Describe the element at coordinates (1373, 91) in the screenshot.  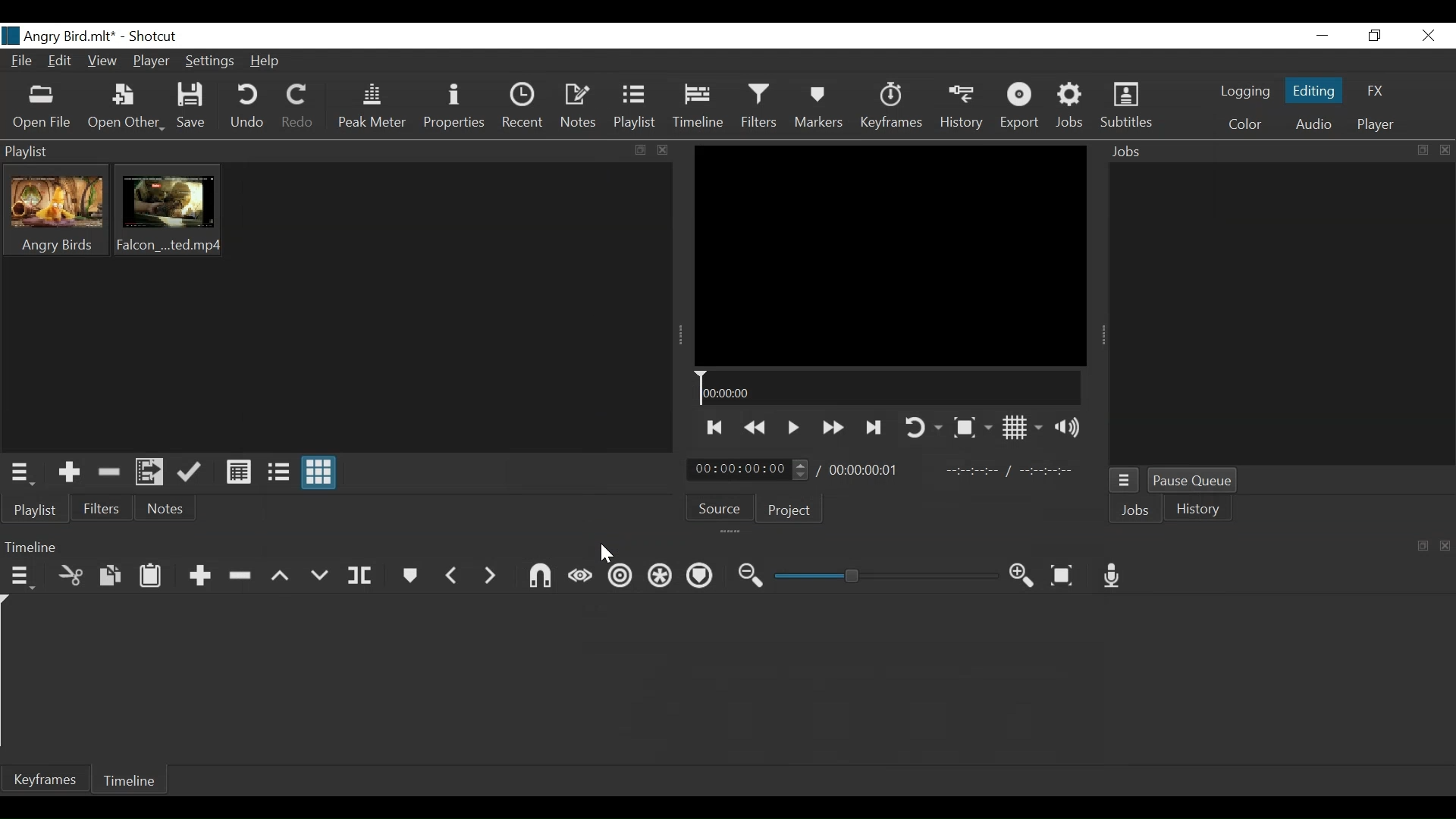
I see `FX` at that location.